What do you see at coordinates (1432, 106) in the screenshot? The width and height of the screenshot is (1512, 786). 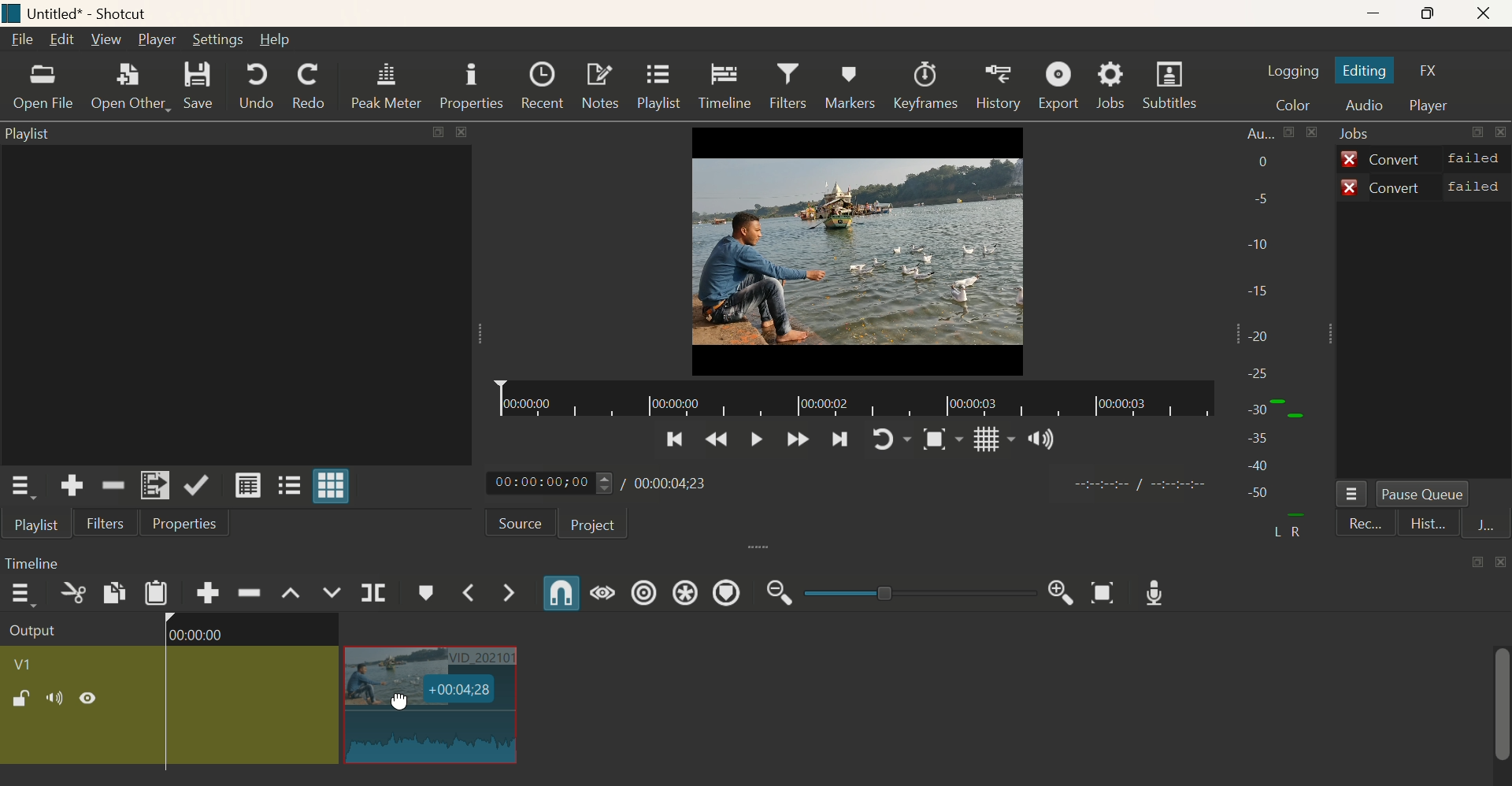 I see `Player` at bounding box center [1432, 106].